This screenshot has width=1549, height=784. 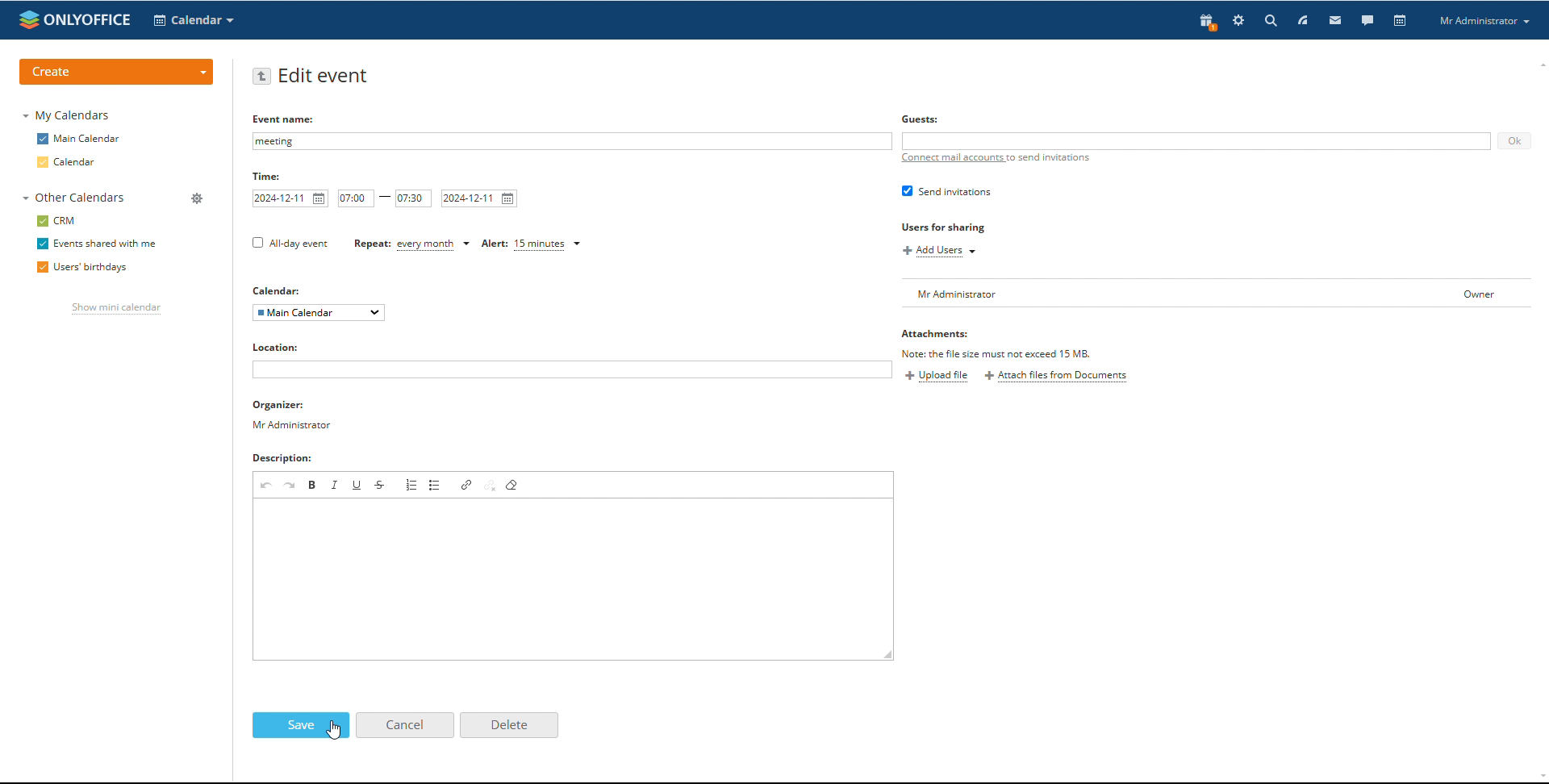 I want to click on add guests, so click(x=1196, y=142).